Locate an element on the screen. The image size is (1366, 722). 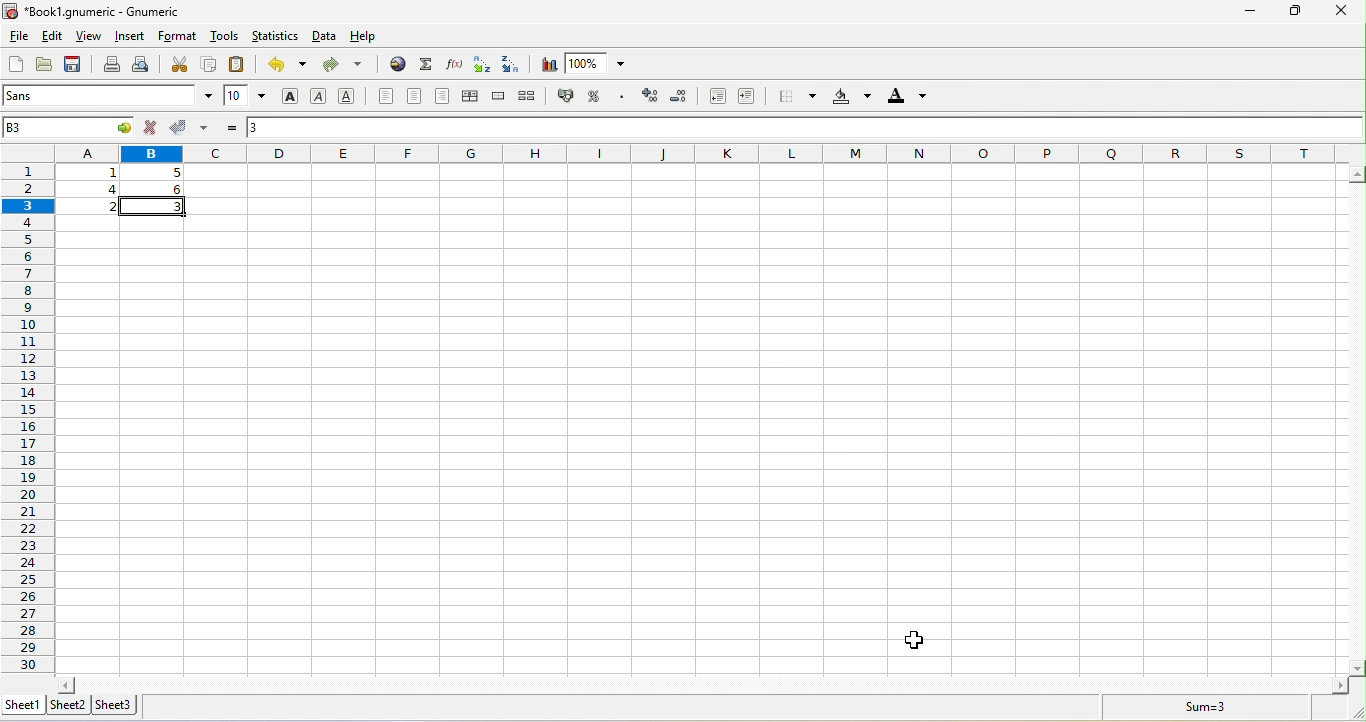
Columns is located at coordinates (709, 153).